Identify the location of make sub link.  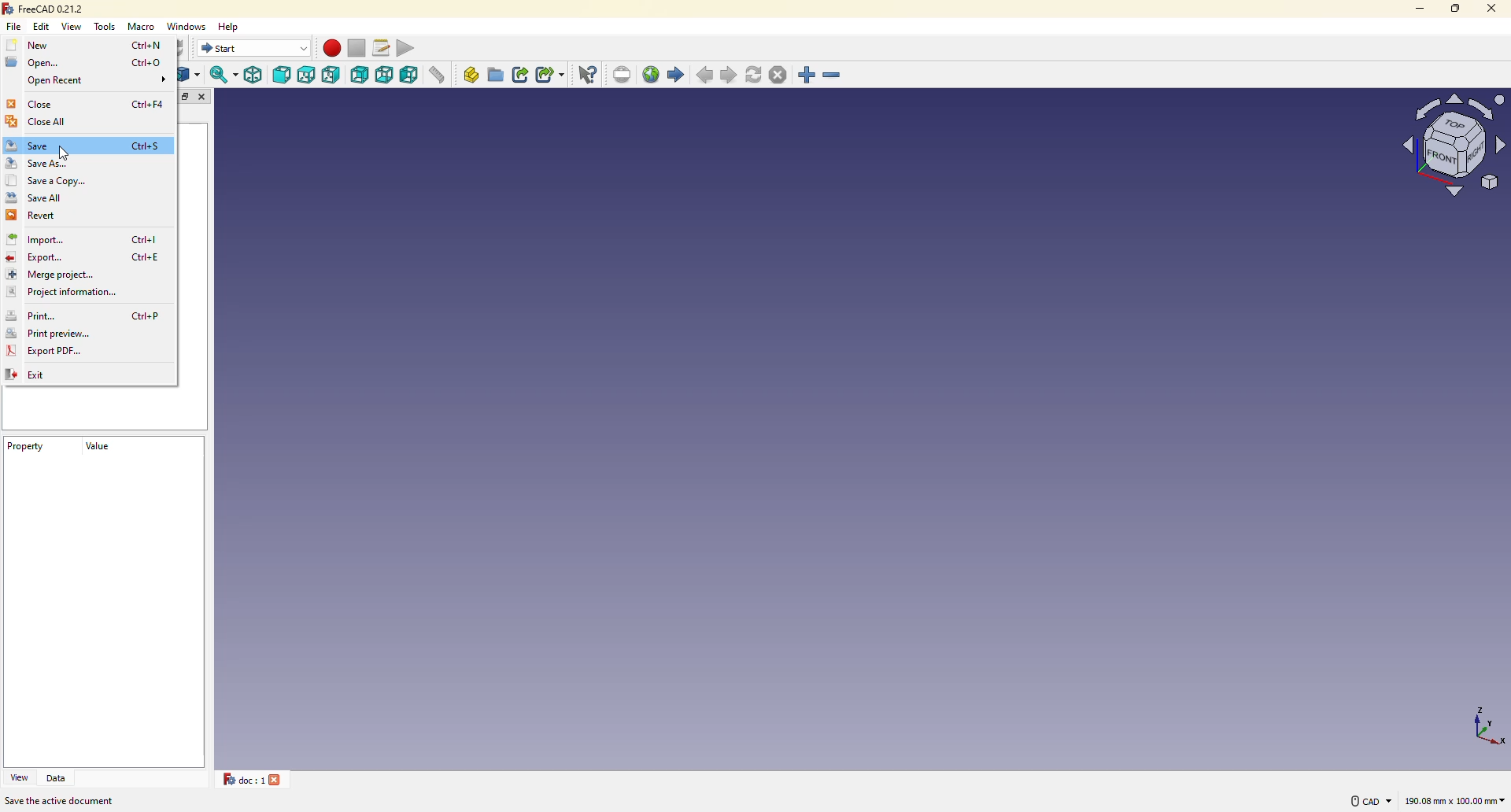
(550, 76).